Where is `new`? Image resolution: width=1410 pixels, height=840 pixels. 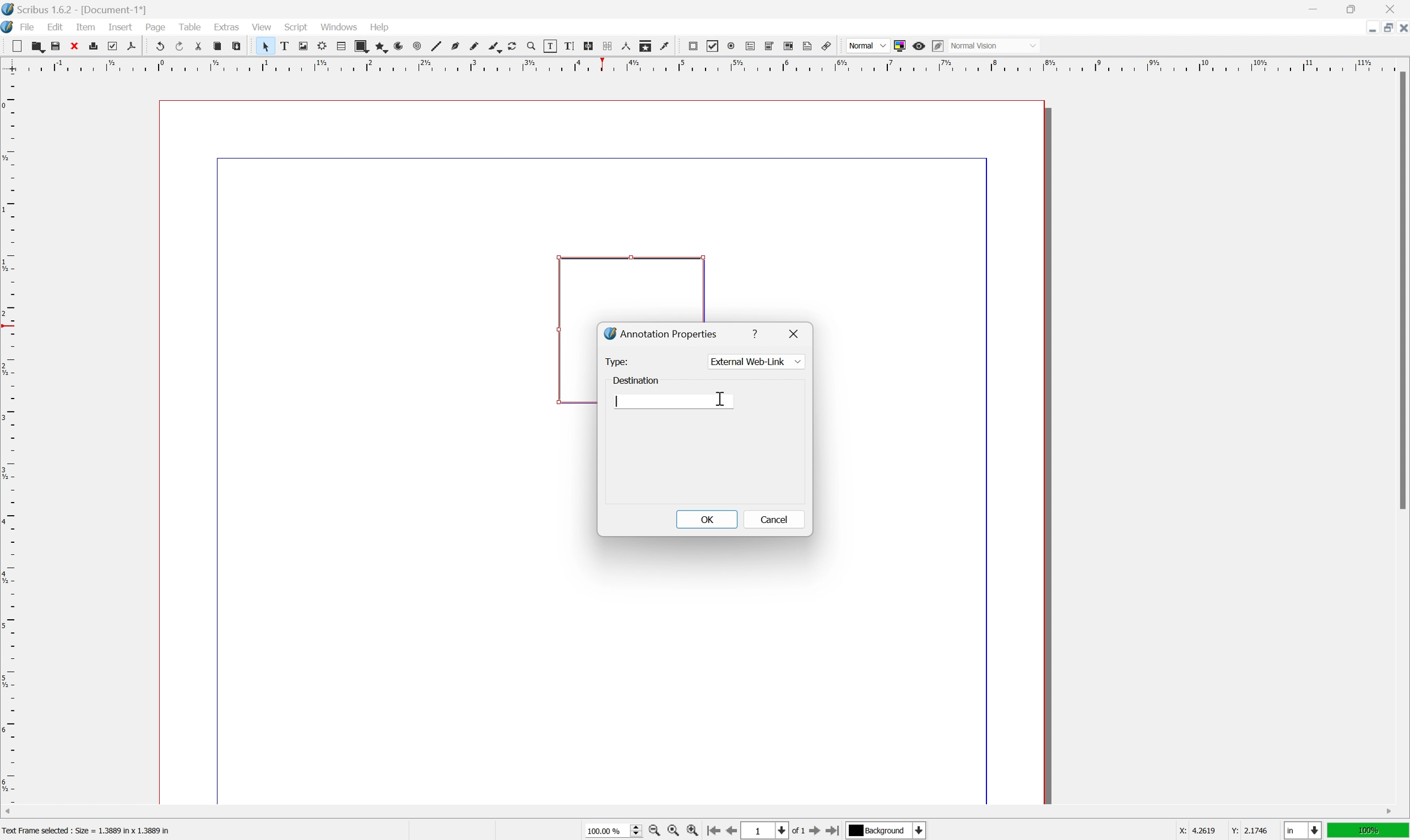 new is located at coordinates (16, 46).